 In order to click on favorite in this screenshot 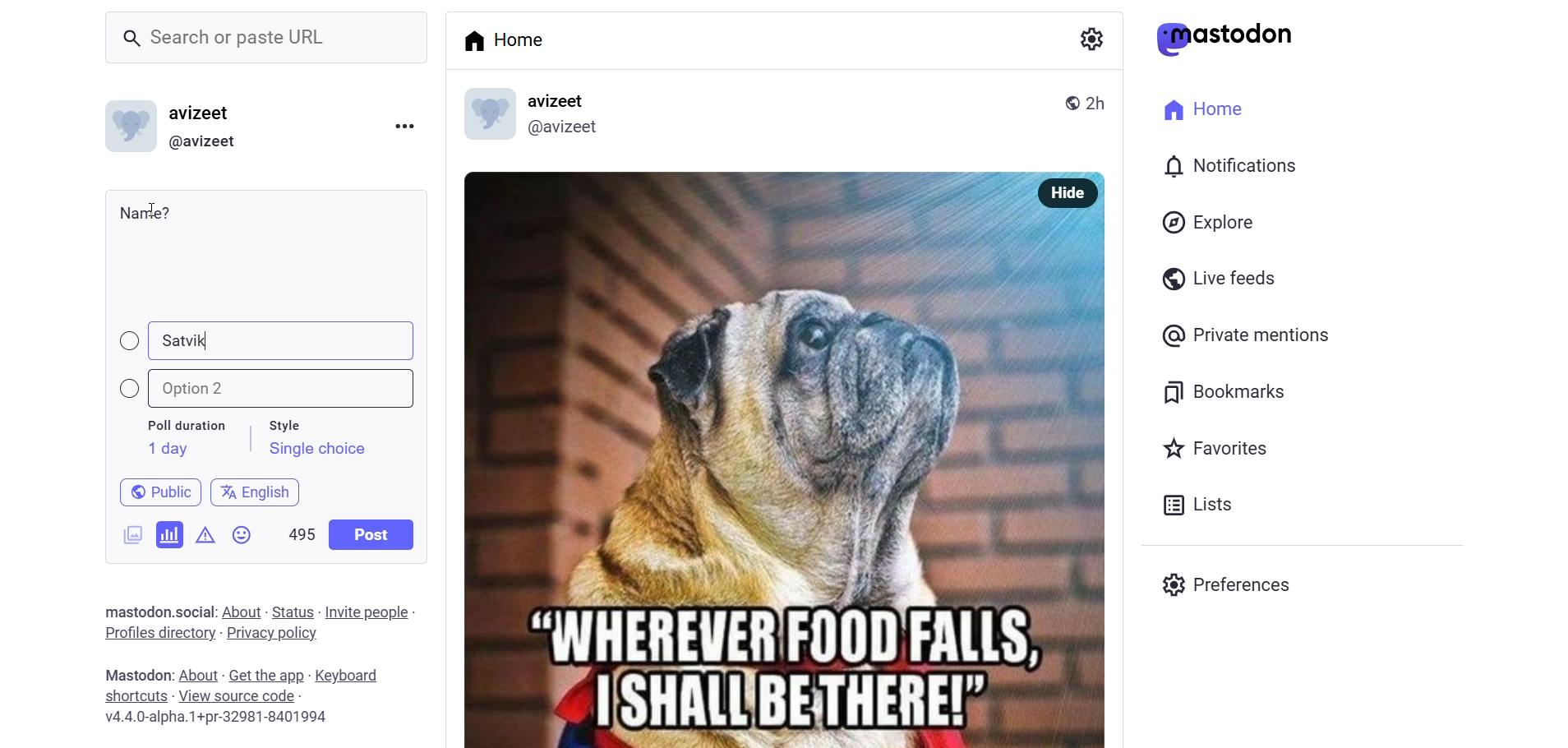, I will do `click(1213, 450)`.